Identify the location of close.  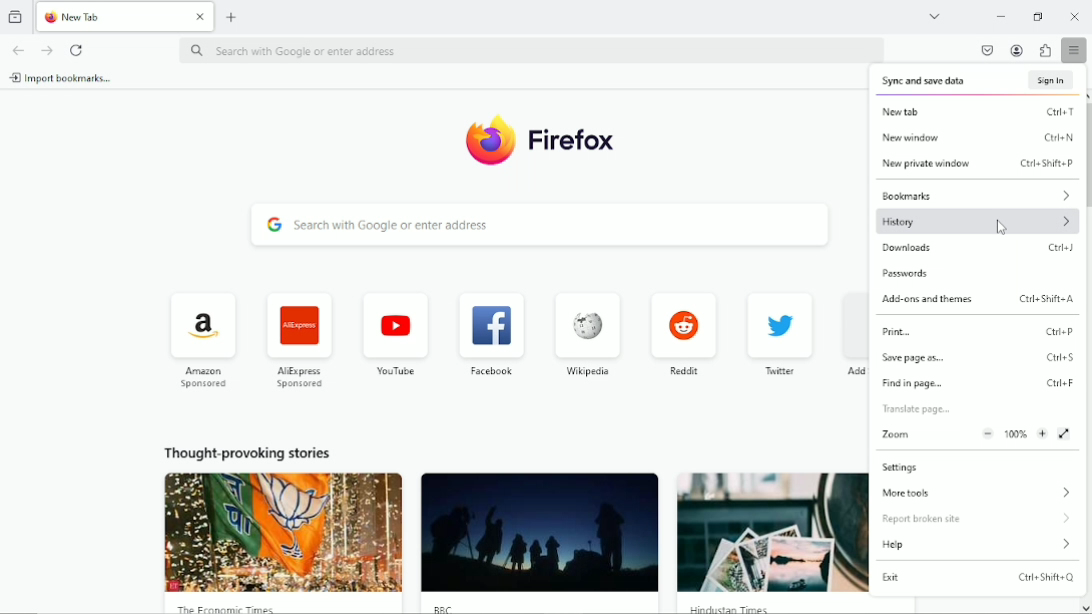
(200, 19).